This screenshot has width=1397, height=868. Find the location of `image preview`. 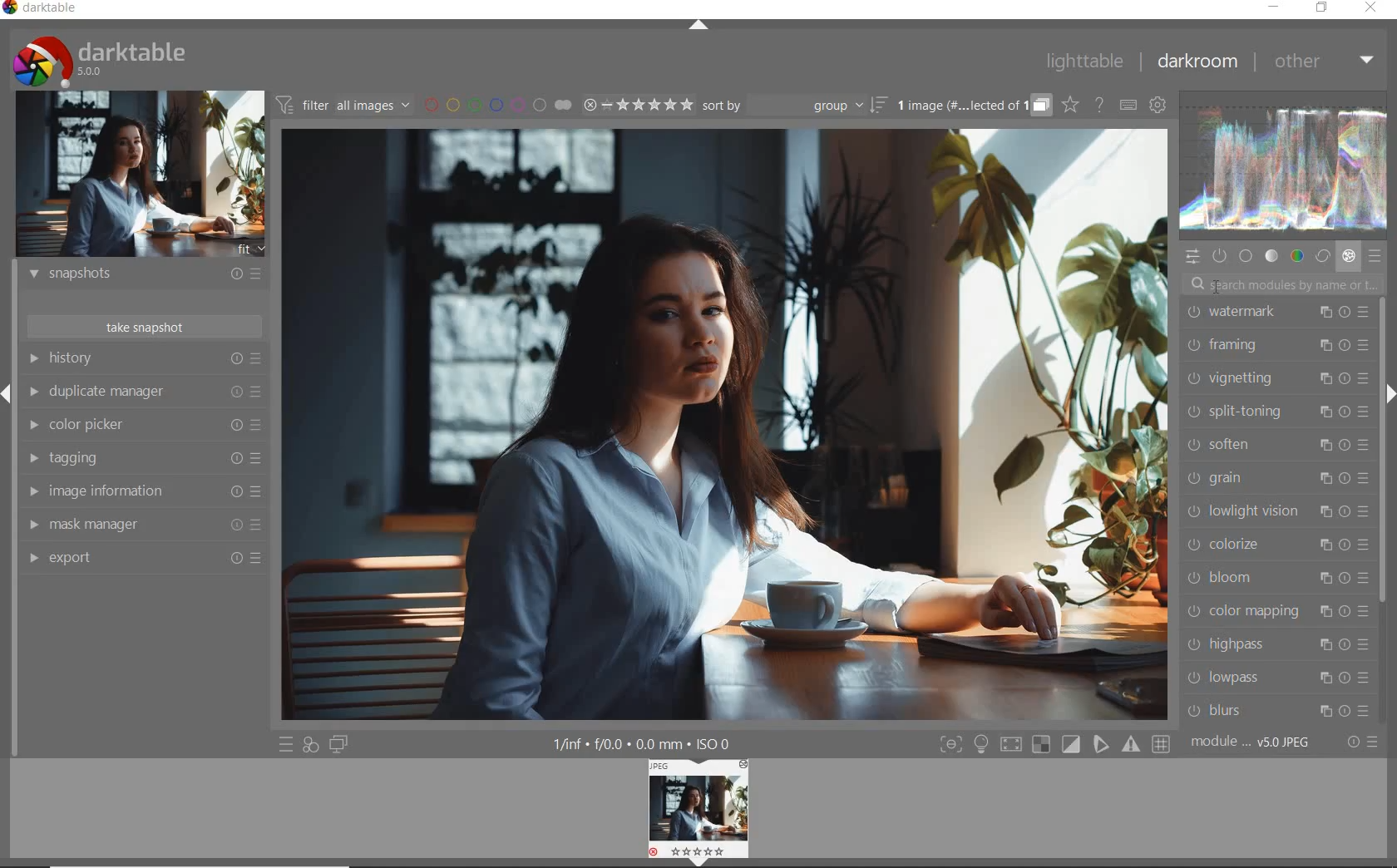

image preview is located at coordinates (140, 172).